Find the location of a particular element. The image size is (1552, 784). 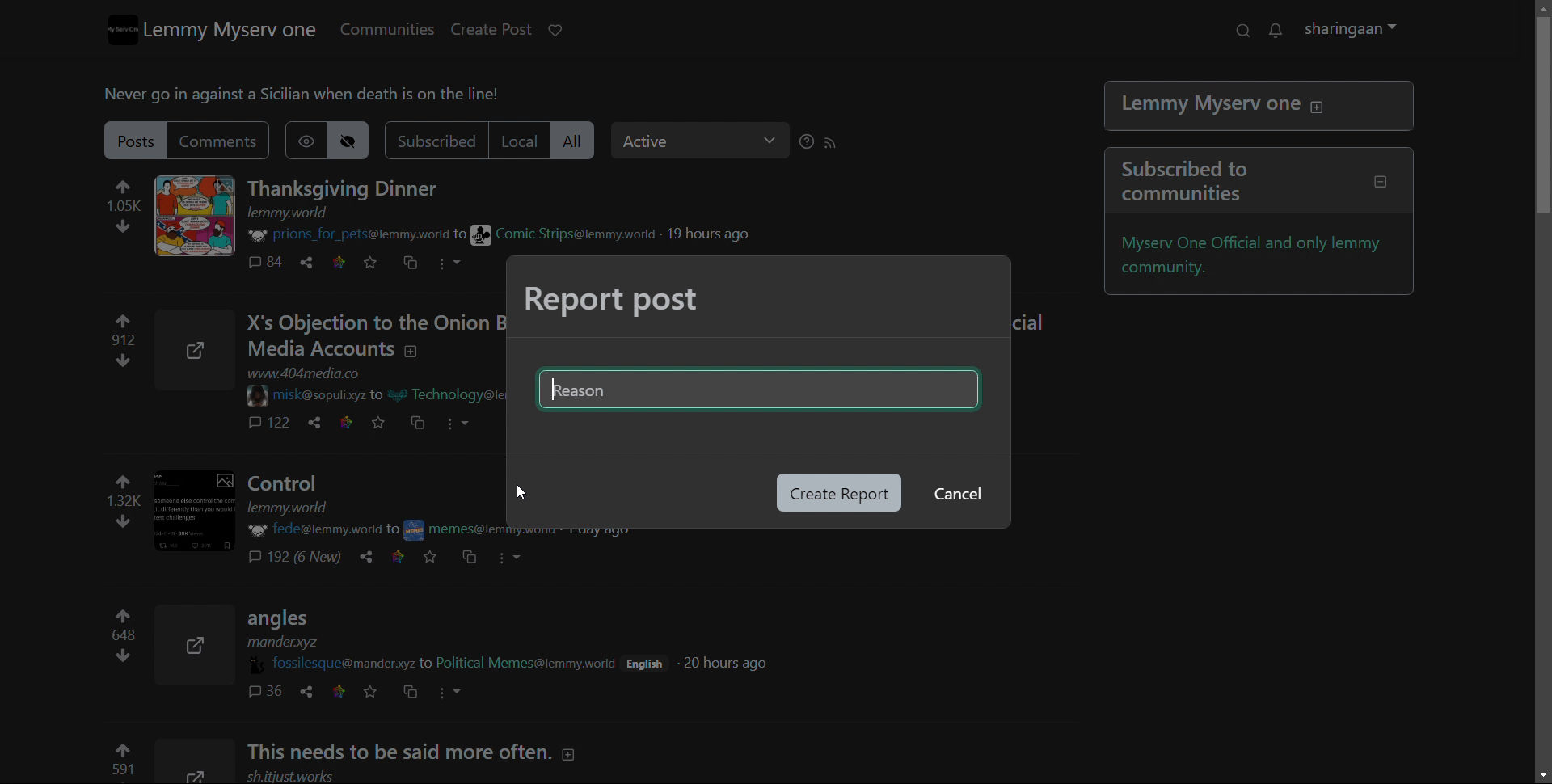

create post is located at coordinates (501, 29).